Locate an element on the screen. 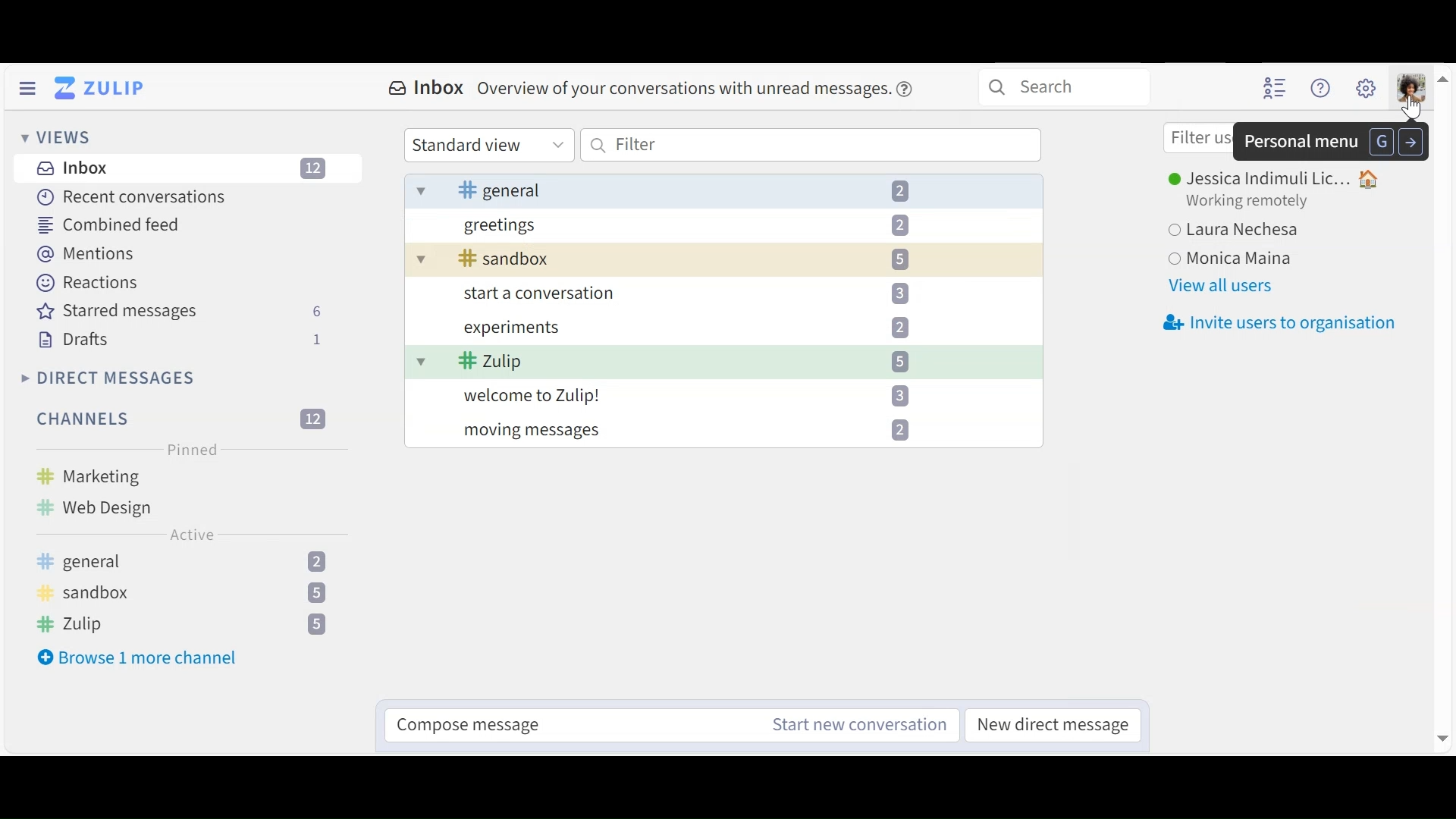 Image resolution: width=1456 pixels, height=819 pixels. Hide user list is located at coordinates (1276, 87).